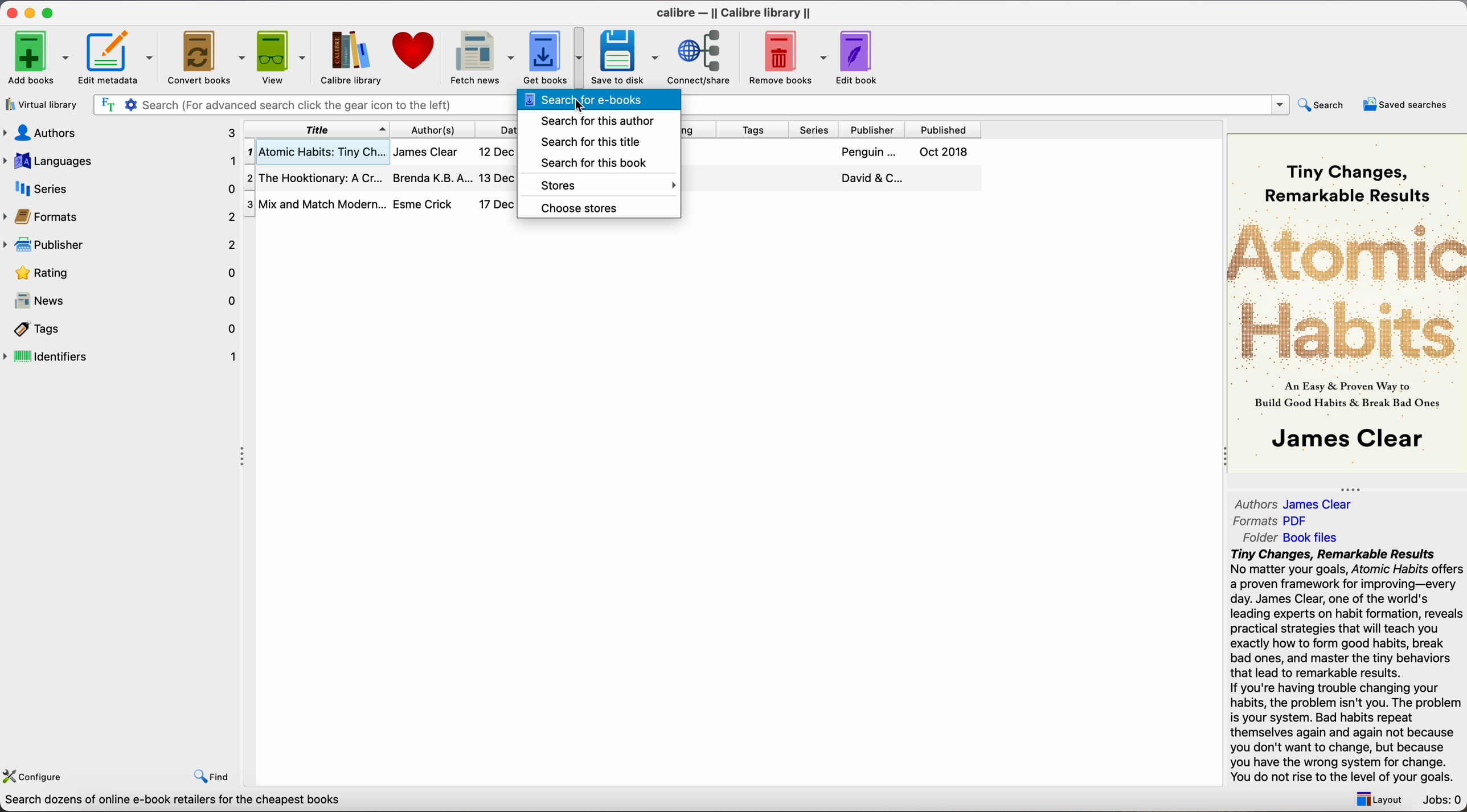  What do you see at coordinates (123, 244) in the screenshot?
I see `publisher` at bounding box center [123, 244].